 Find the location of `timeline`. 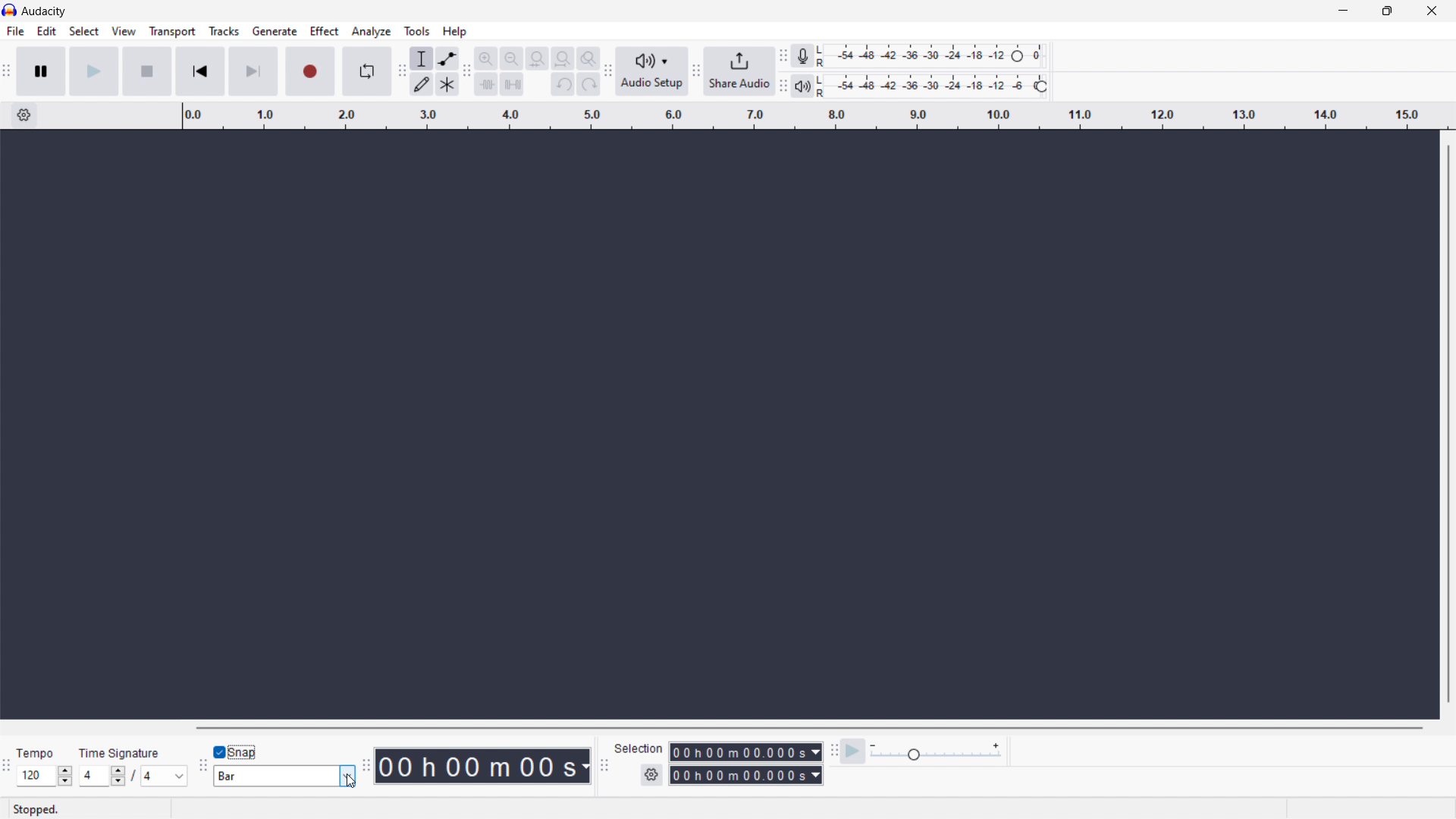

timeline is located at coordinates (813, 116).